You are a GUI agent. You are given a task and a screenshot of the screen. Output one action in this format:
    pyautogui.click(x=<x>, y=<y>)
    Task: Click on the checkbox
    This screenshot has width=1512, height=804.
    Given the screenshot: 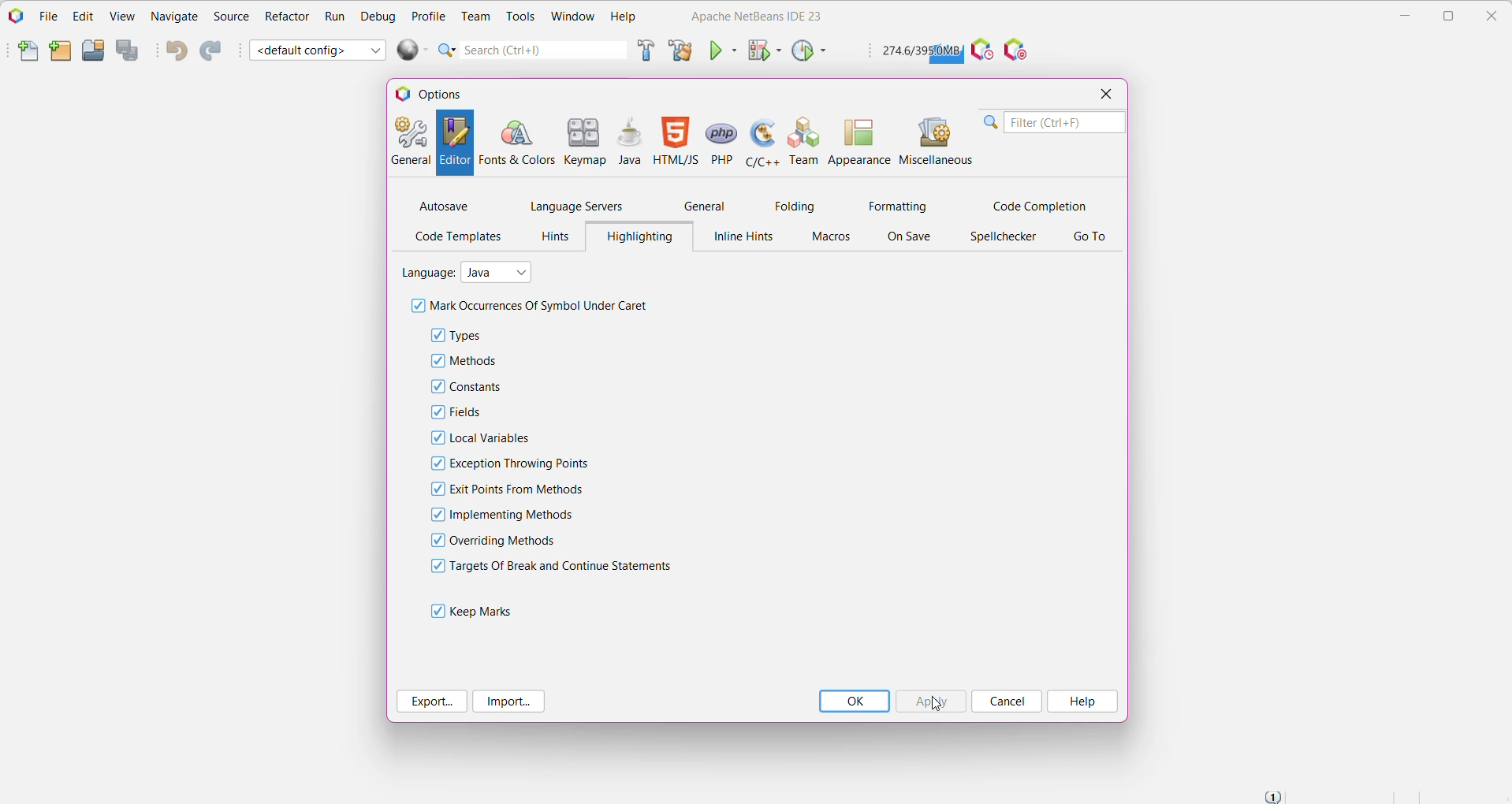 What is the action you would take?
    pyautogui.click(x=435, y=412)
    